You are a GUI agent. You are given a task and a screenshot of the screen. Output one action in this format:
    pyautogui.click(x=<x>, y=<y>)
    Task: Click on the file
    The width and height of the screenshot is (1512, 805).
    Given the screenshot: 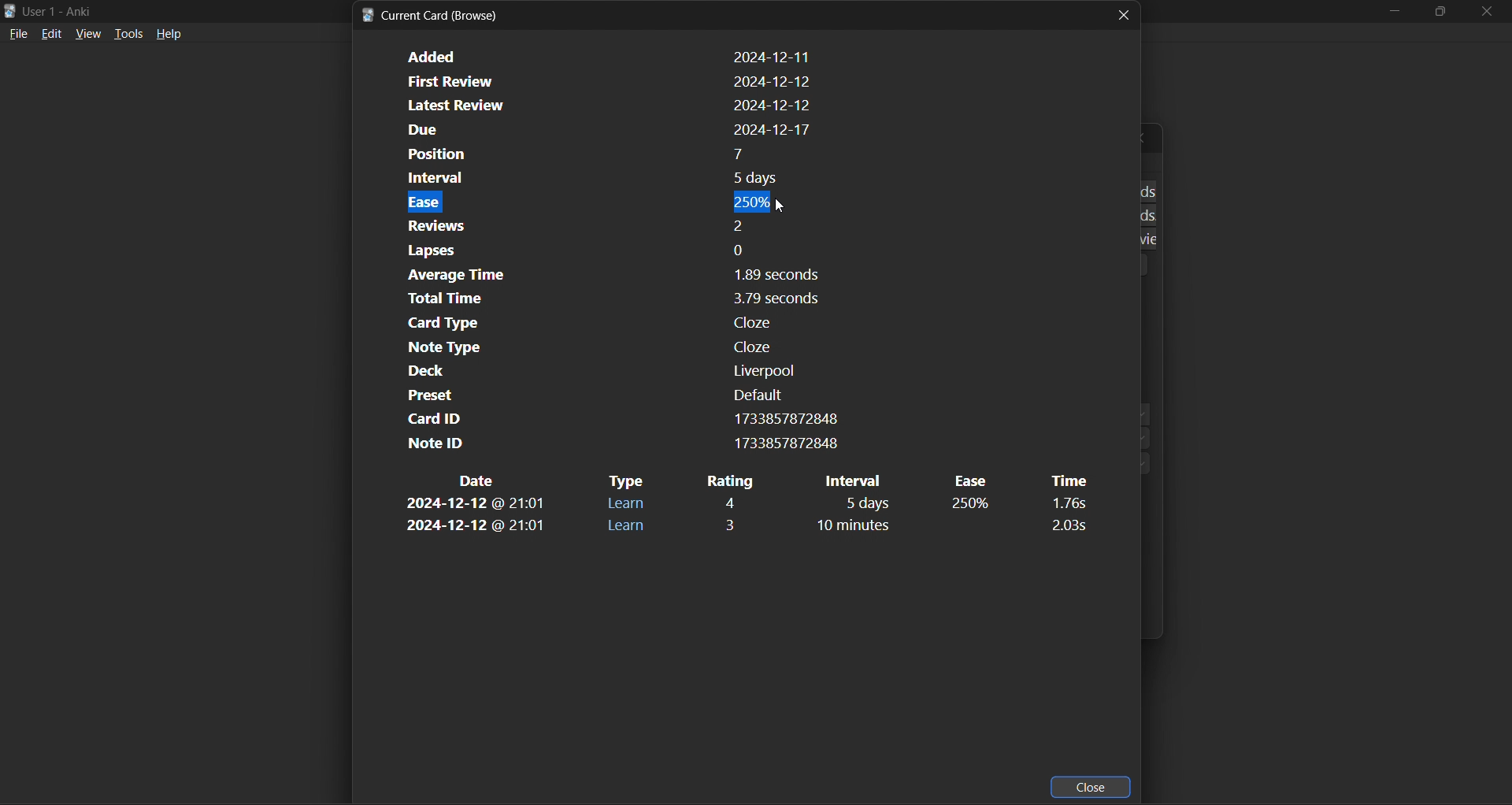 What is the action you would take?
    pyautogui.click(x=19, y=35)
    